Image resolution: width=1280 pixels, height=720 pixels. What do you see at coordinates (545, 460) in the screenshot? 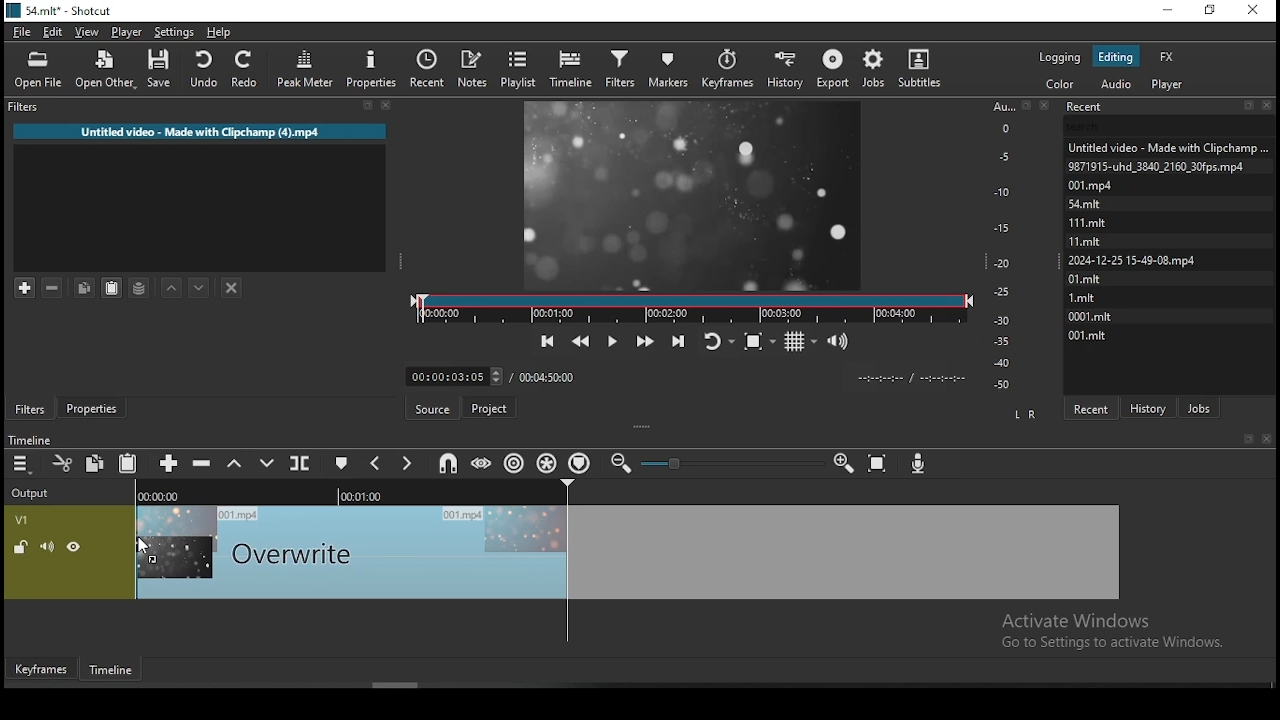
I see `ripple all tracks` at bounding box center [545, 460].